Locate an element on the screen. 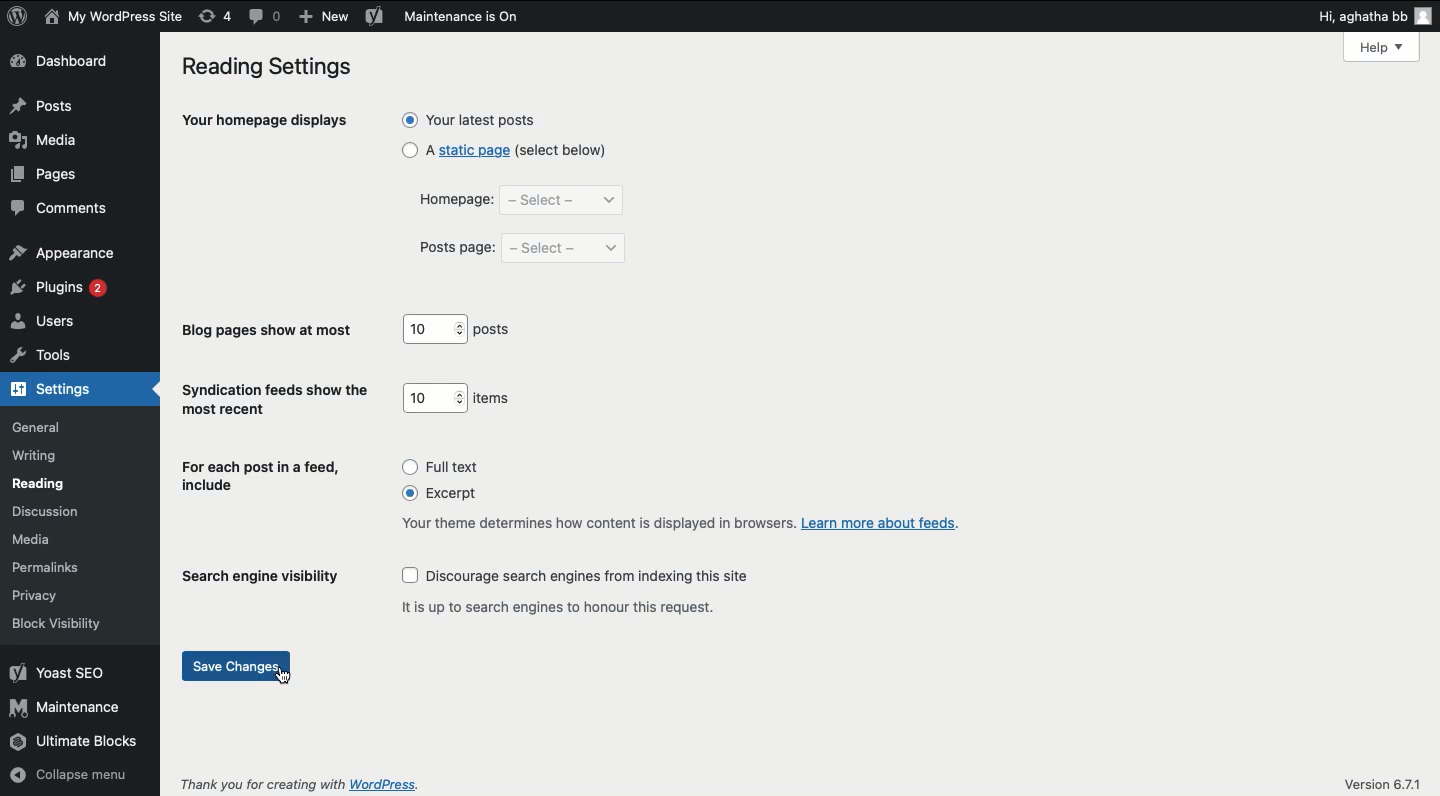 The width and height of the screenshot is (1440, 796). ultimate blocks is located at coordinates (76, 740).